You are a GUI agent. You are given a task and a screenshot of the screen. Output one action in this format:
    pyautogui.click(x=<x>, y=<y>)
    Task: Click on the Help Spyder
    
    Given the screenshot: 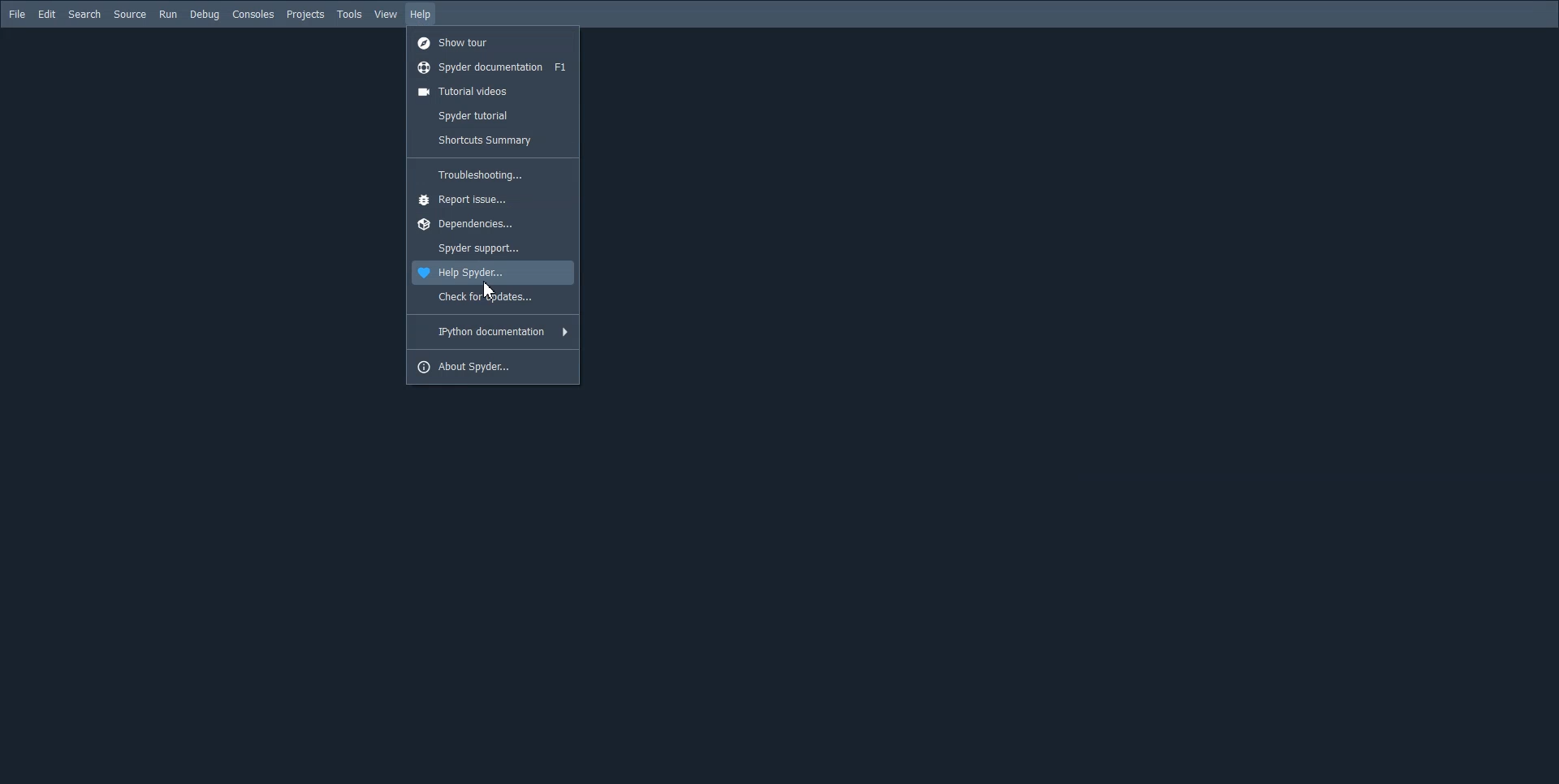 What is the action you would take?
    pyautogui.click(x=490, y=274)
    